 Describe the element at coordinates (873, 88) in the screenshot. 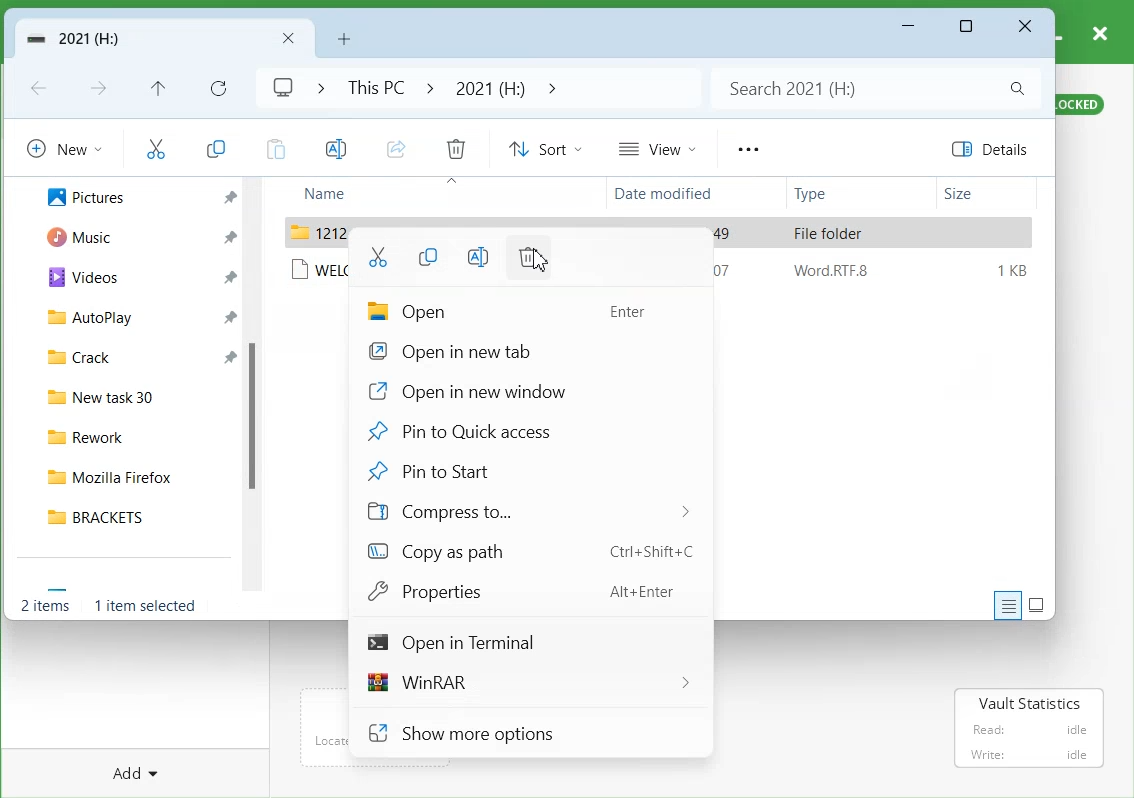

I see `Search bar` at that location.